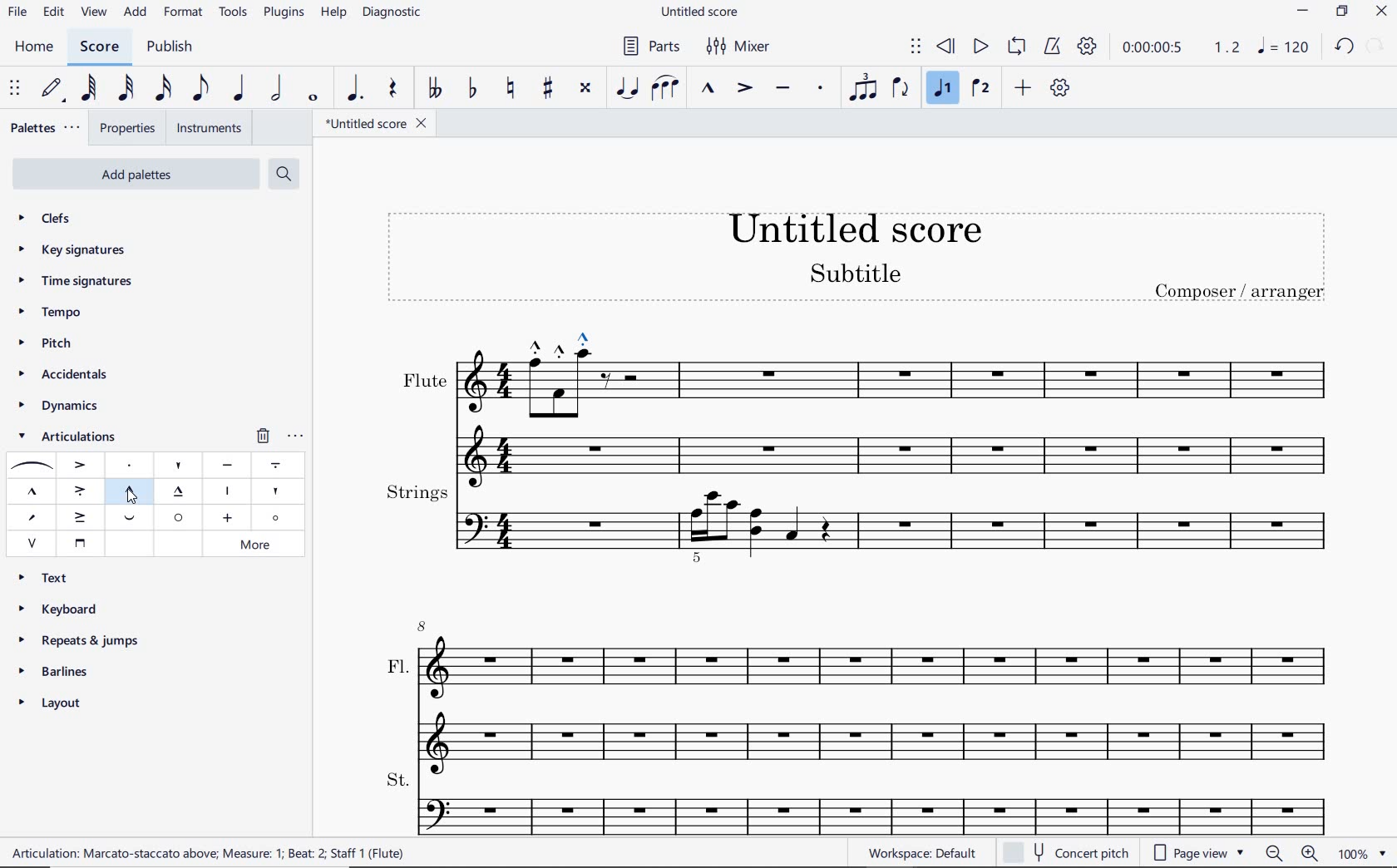 This screenshot has width=1397, height=868. Describe the element at coordinates (1345, 47) in the screenshot. I see `undo` at that location.